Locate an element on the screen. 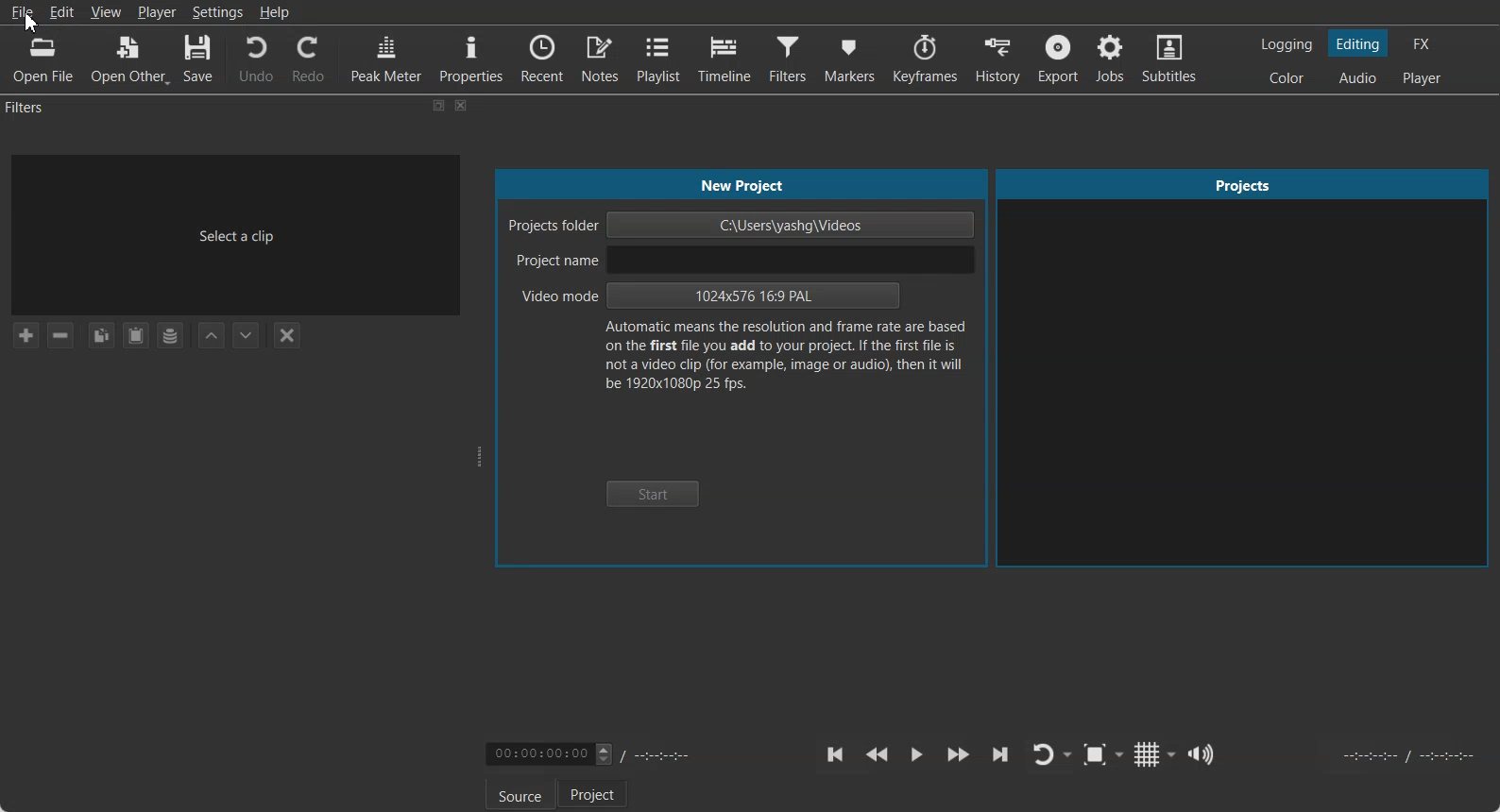 The width and height of the screenshot is (1500, 812). Switch to the Audio layout is located at coordinates (1357, 77).